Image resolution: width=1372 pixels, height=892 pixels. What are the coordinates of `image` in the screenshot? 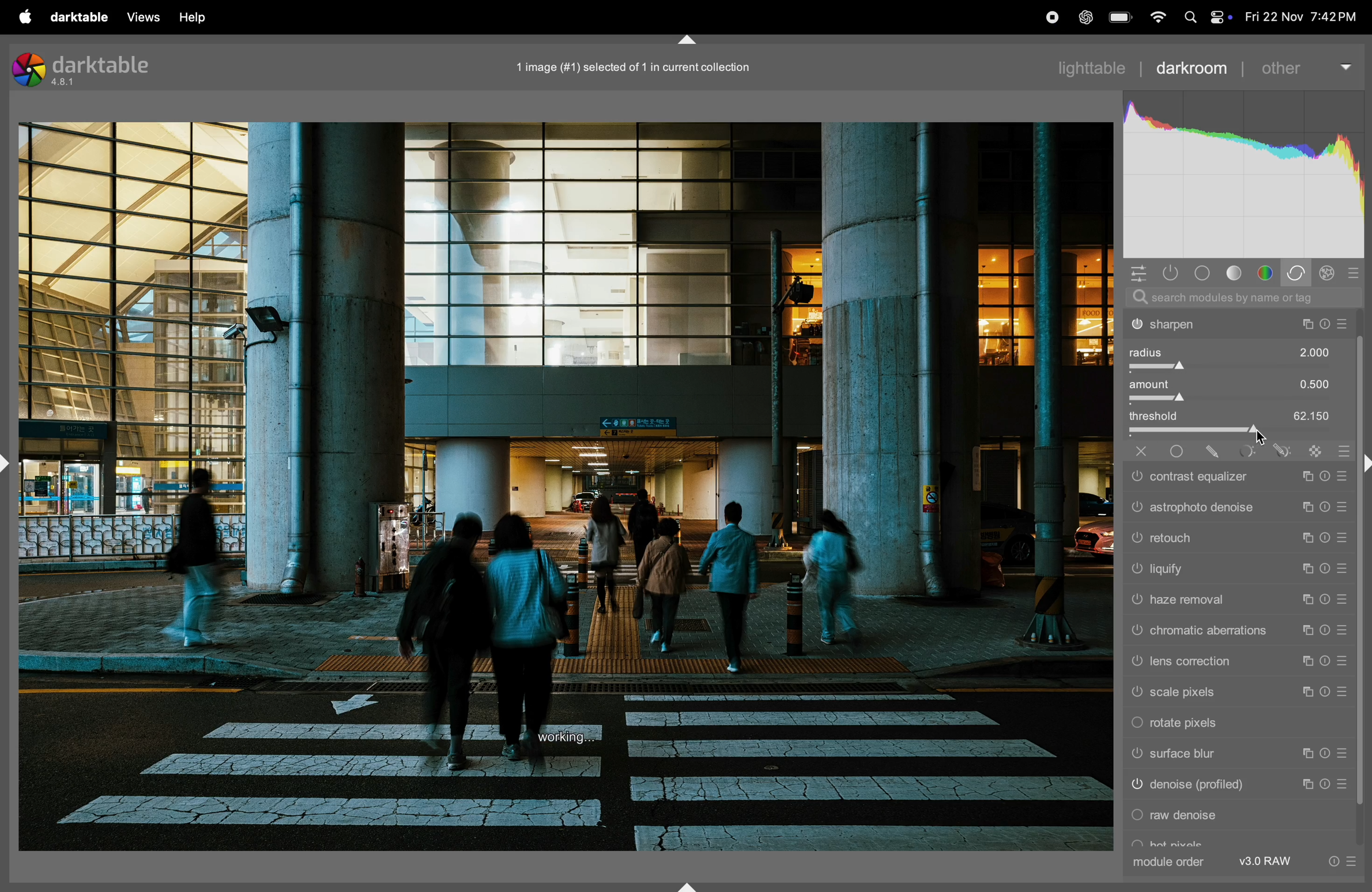 It's located at (566, 487).